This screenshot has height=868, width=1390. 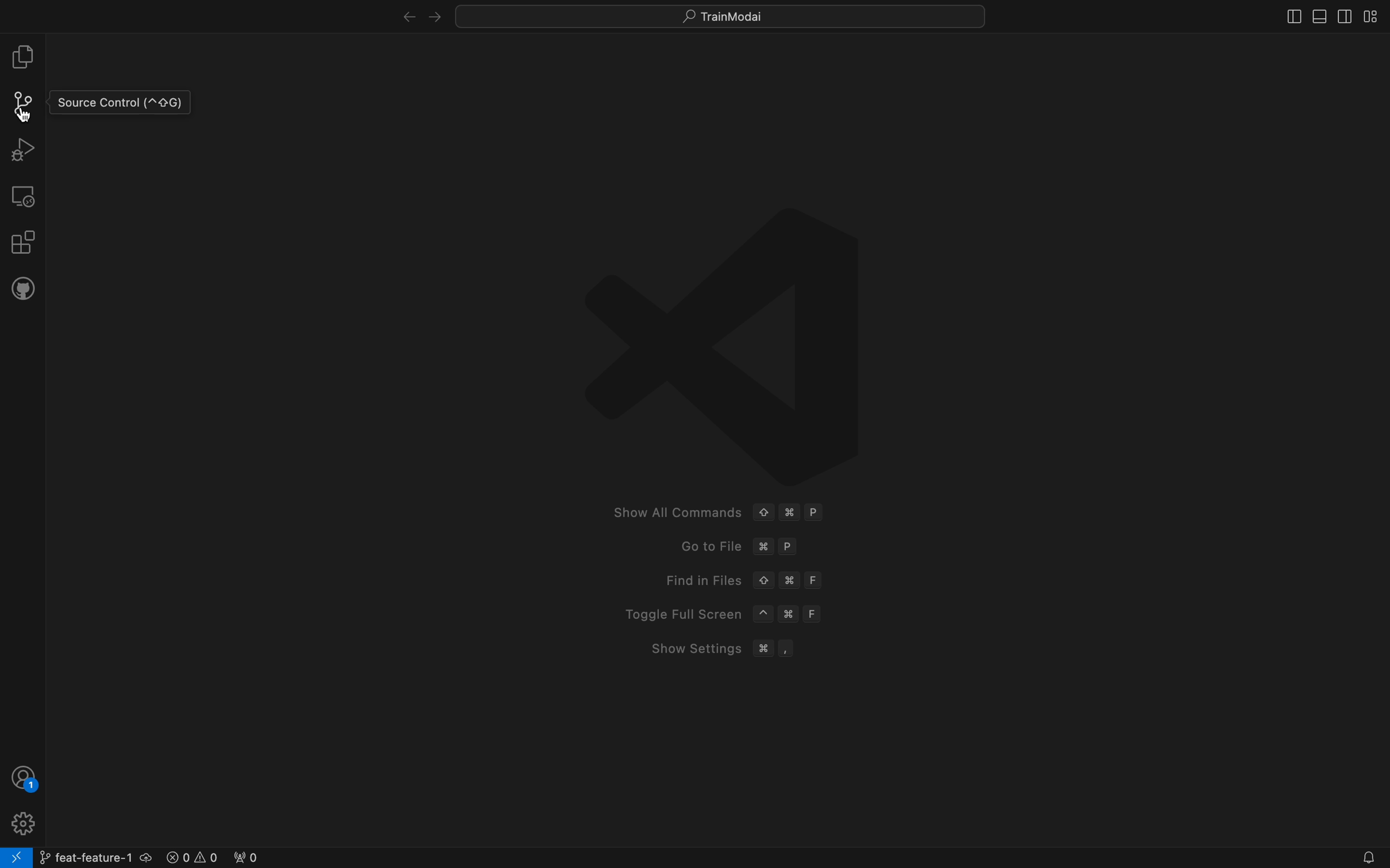 I want to click on extensions, so click(x=22, y=241).